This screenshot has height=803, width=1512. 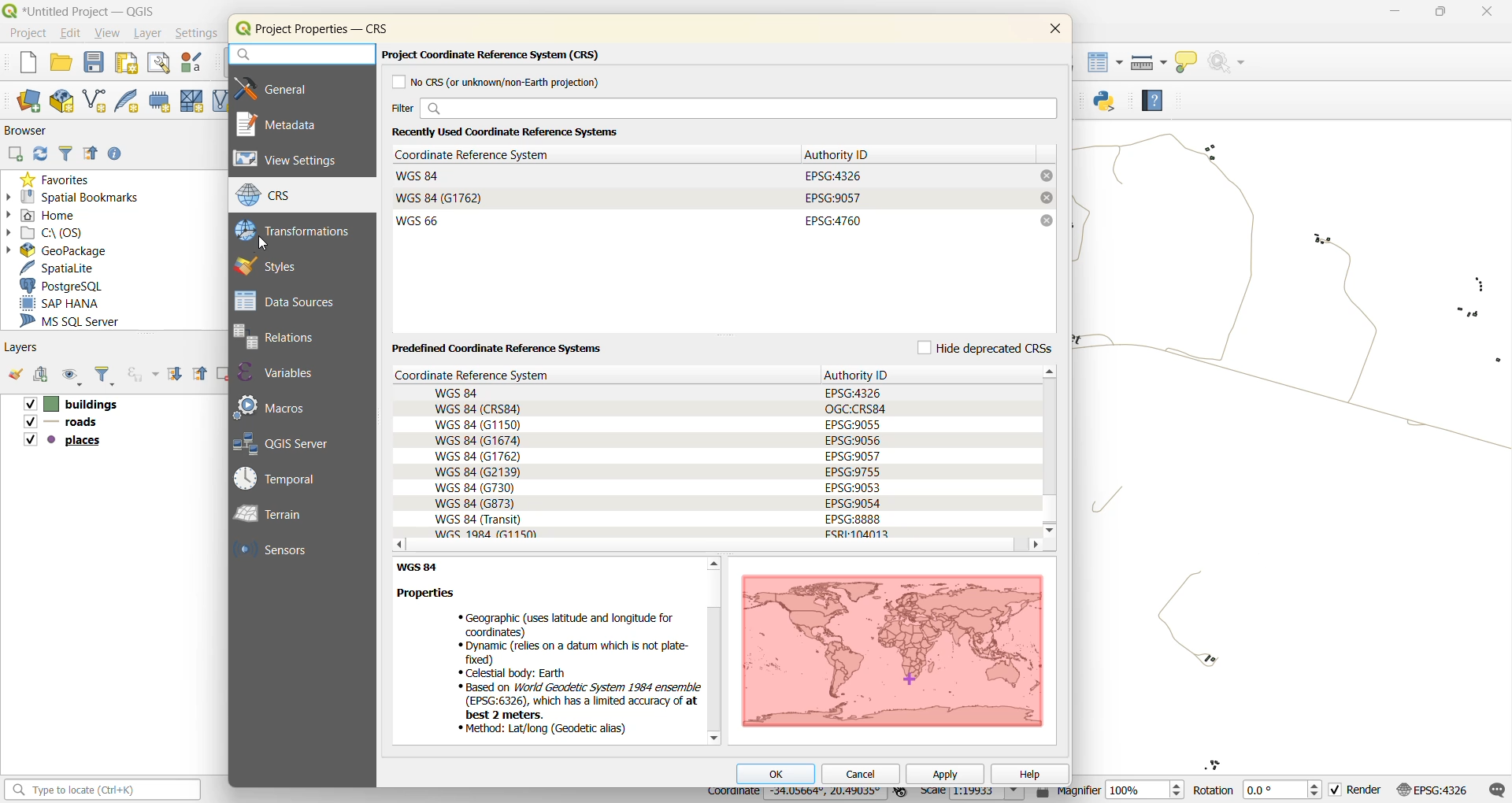 I want to click on Recently Used Coordinate Reference Systems, so click(x=517, y=131).